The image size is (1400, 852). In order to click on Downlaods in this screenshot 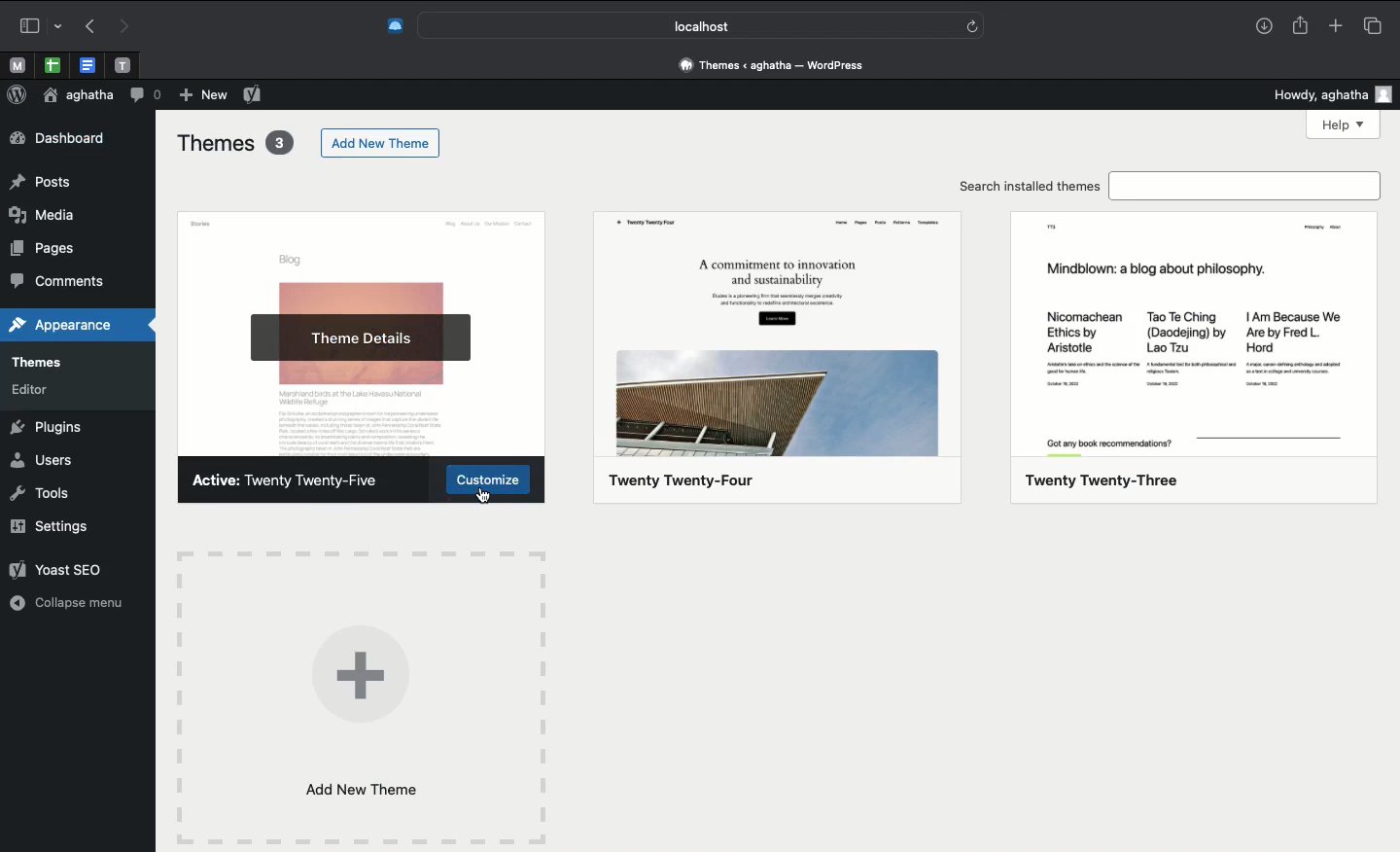, I will do `click(1264, 28)`.